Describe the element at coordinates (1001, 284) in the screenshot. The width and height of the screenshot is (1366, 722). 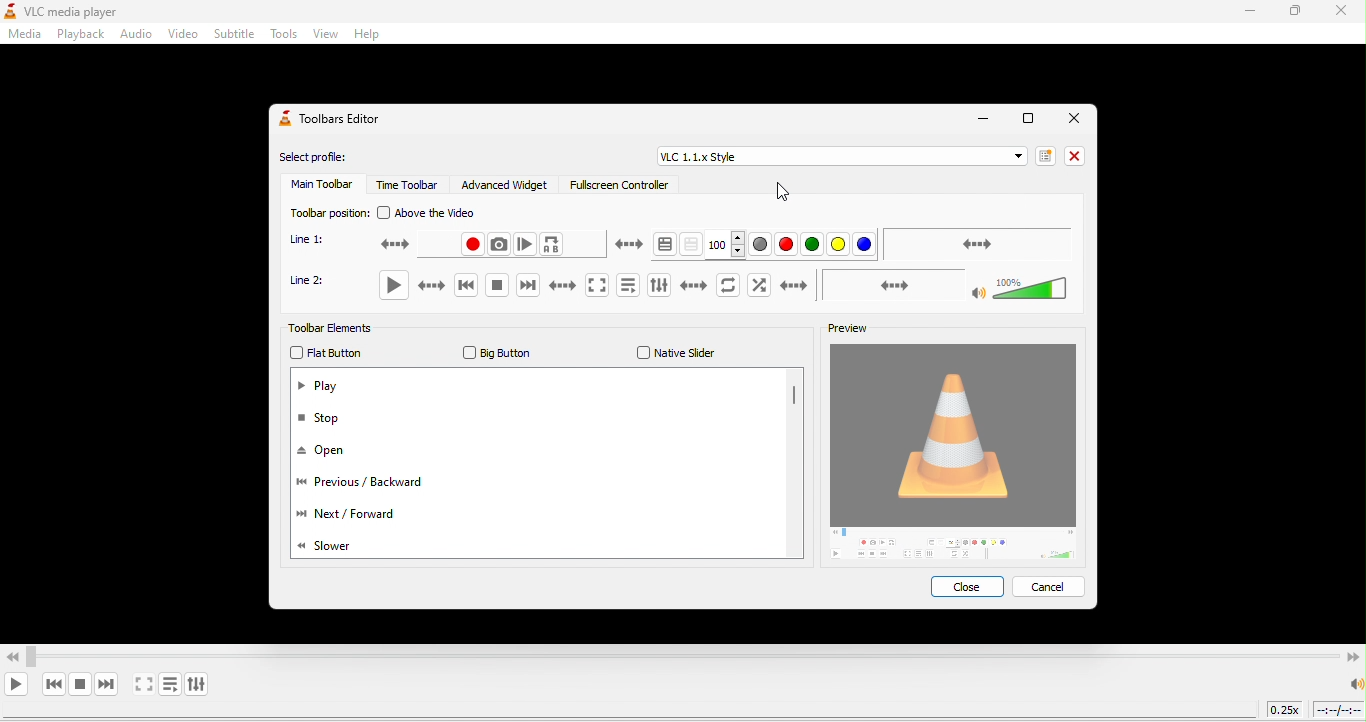
I see `volume` at that location.